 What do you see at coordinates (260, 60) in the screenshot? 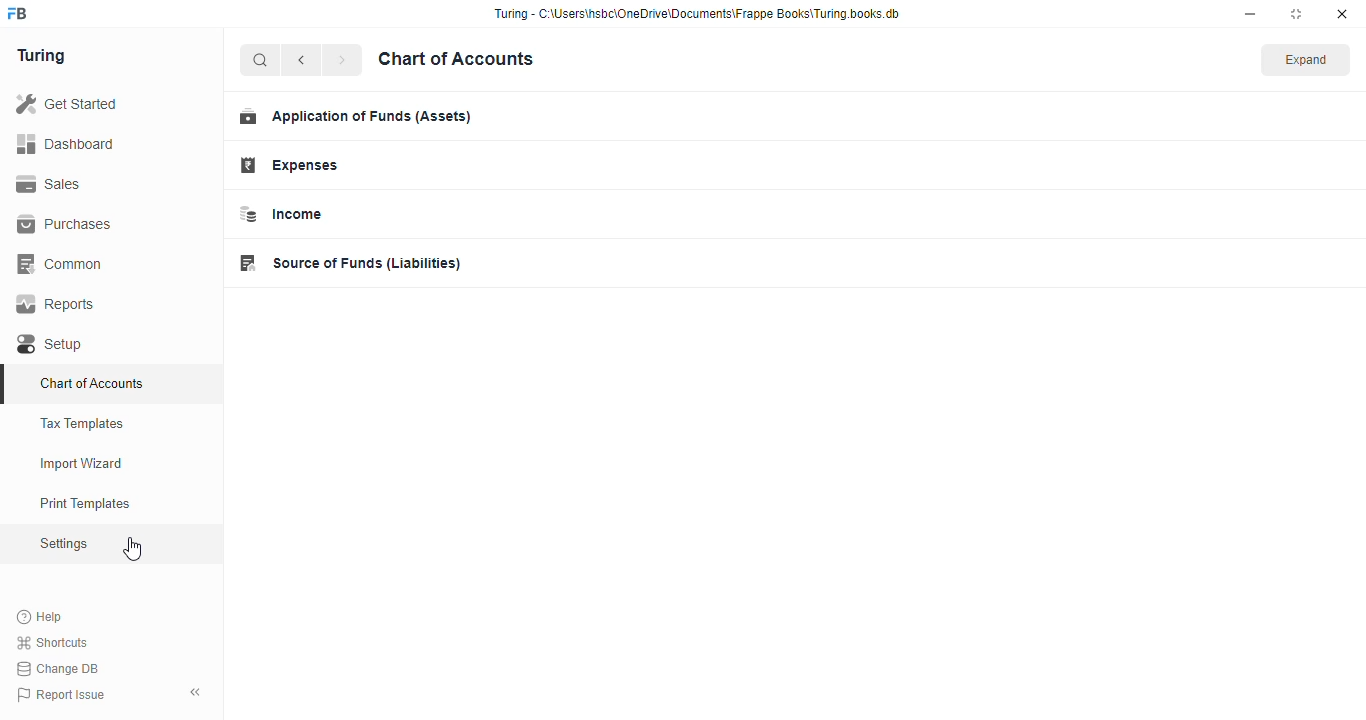
I see `search` at bounding box center [260, 60].